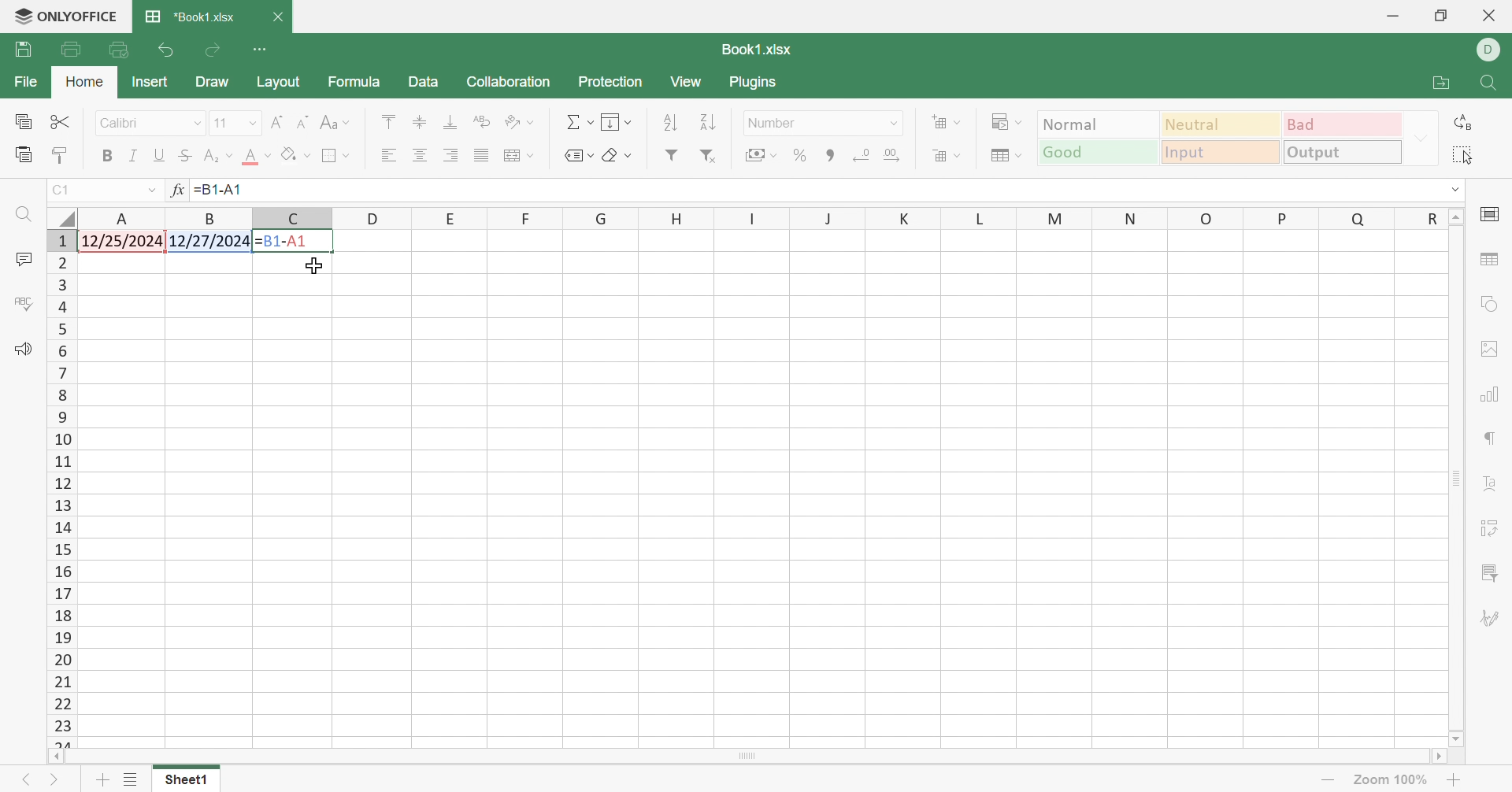 The height and width of the screenshot is (792, 1512). What do you see at coordinates (185, 155) in the screenshot?
I see `Strikethrough` at bounding box center [185, 155].